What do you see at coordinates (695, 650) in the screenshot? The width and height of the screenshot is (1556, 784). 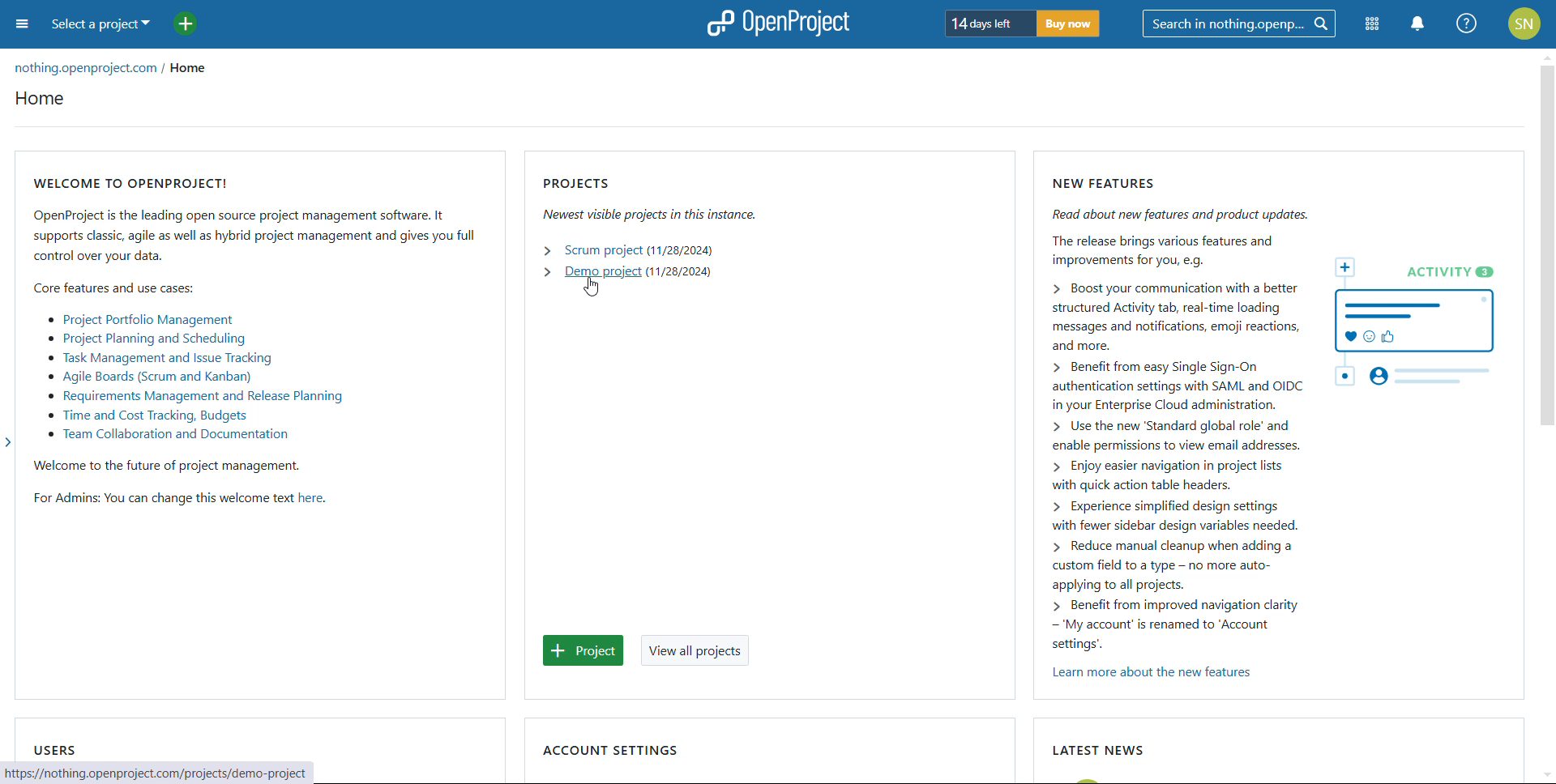 I see `view all projects` at bounding box center [695, 650].